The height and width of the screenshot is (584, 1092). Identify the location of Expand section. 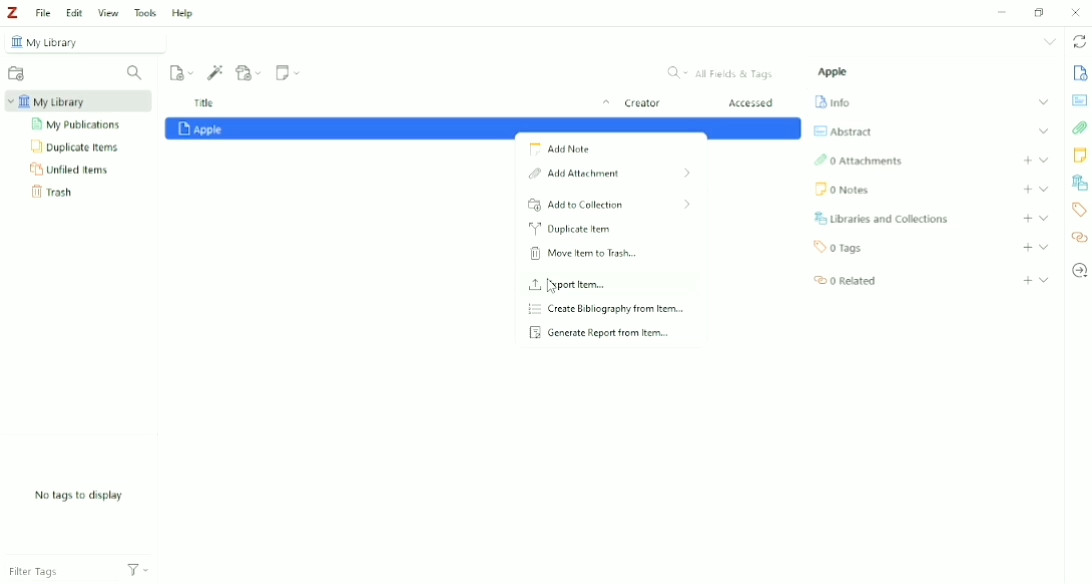
(1043, 102).